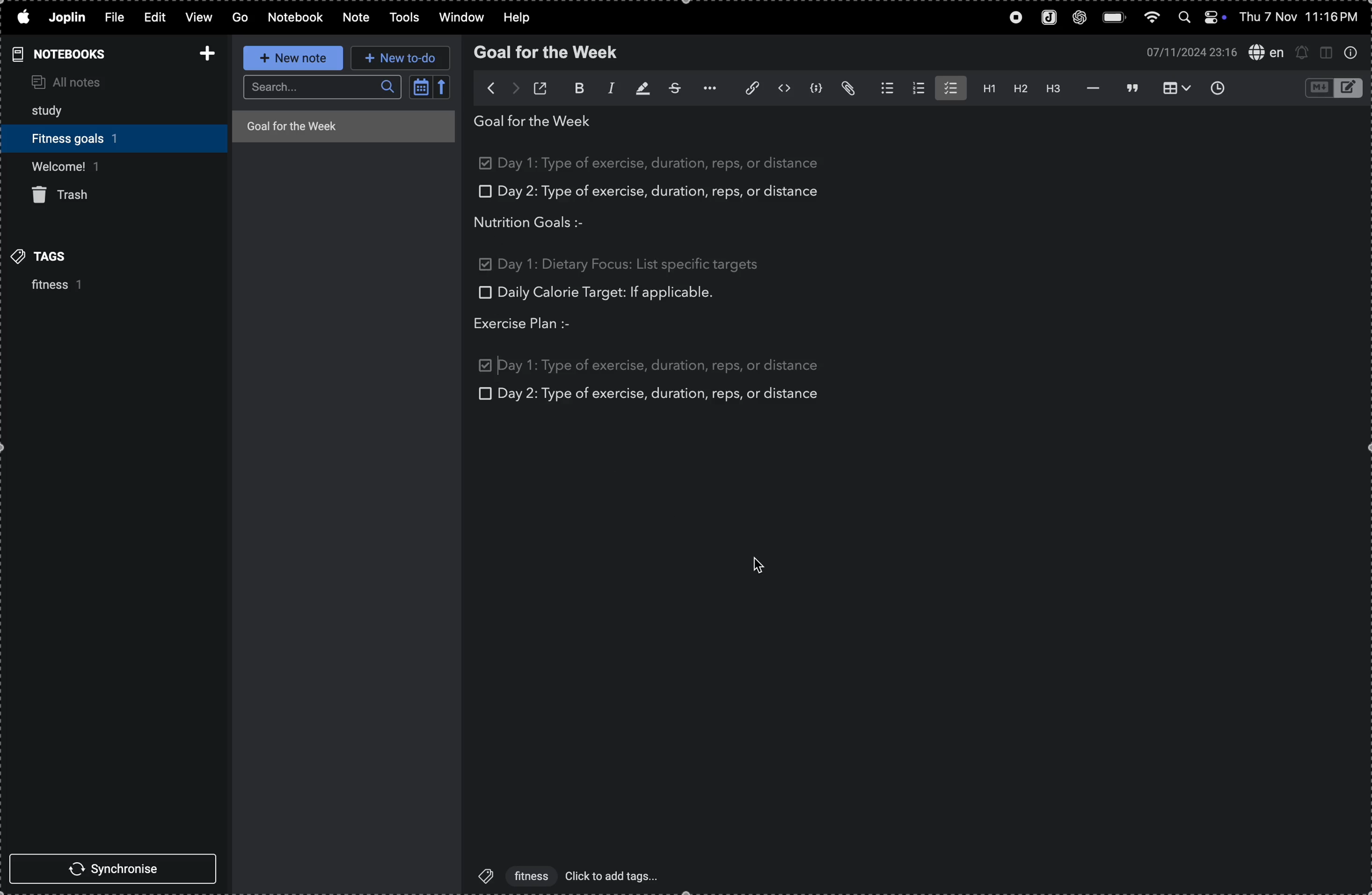 This screenshot has width=1372, height=895. Describe the element at coordinates (1017, 88) in the screenshot. I see `heading 2` at that location.